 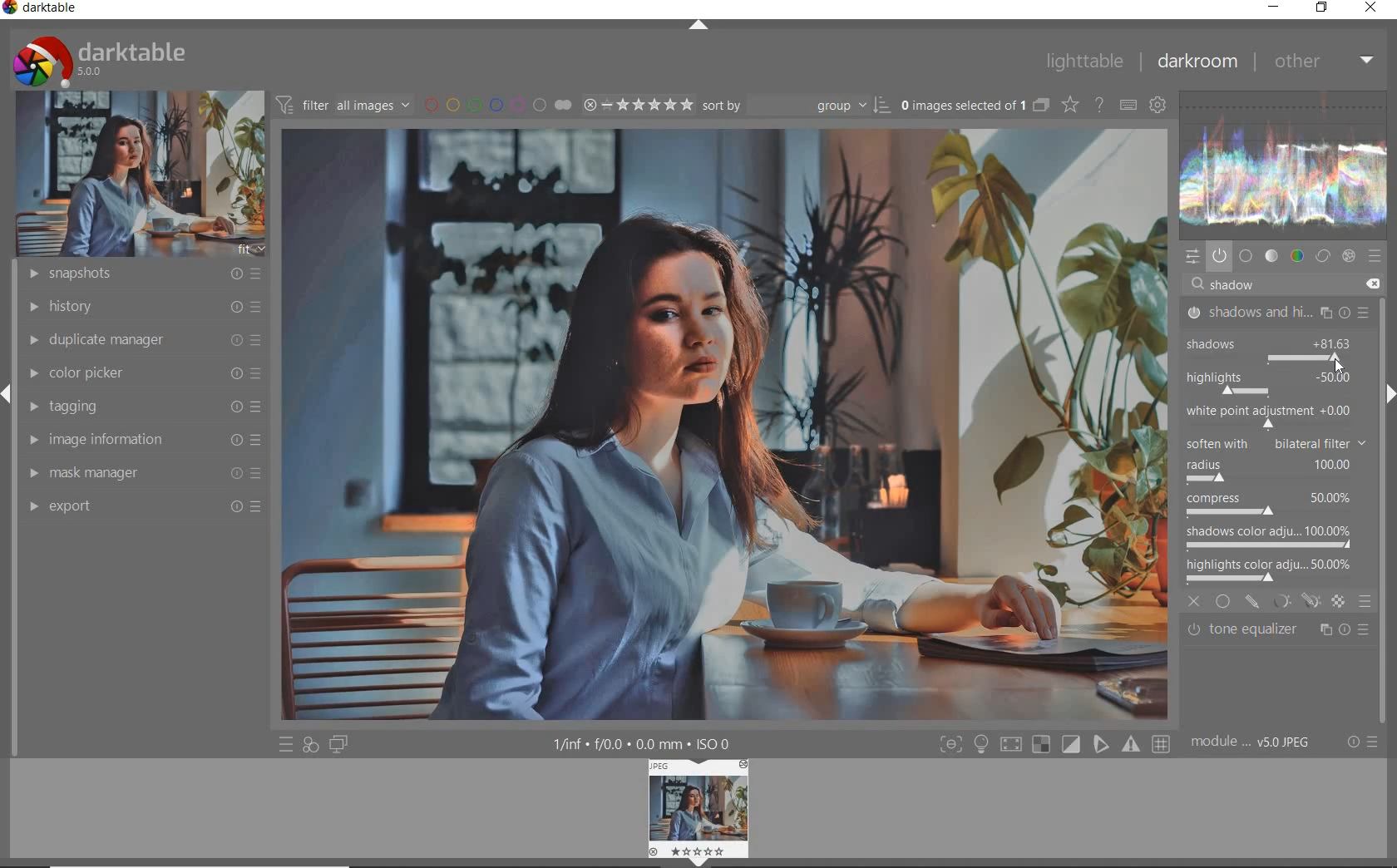 I want to click on mask manager, so click(x=144, y=475).